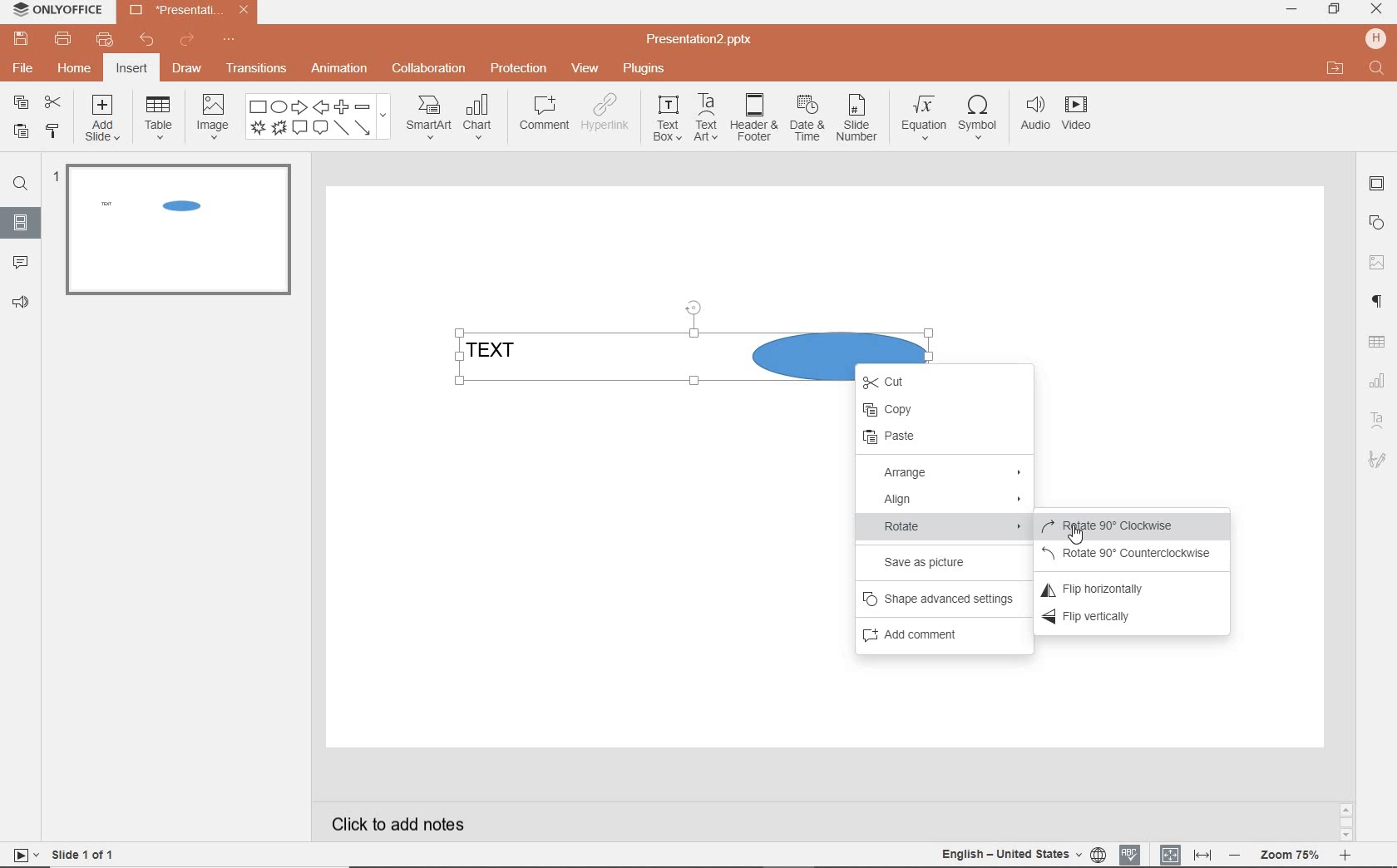  What do you see at coordinates (21, 133) in the screenshot?
I see `paste` at bounding box center [21, 133].